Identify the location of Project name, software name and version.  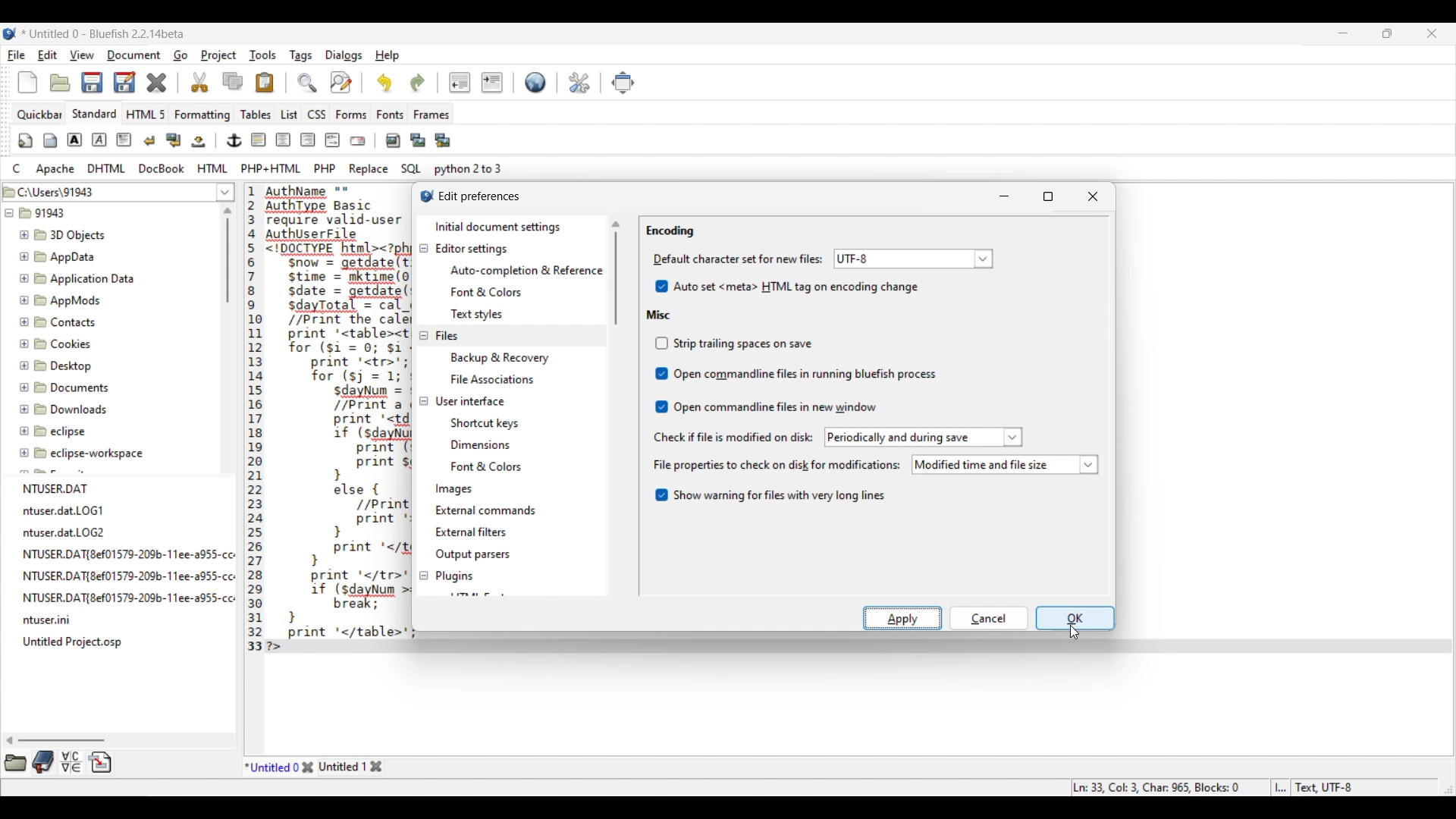
(105, 33).